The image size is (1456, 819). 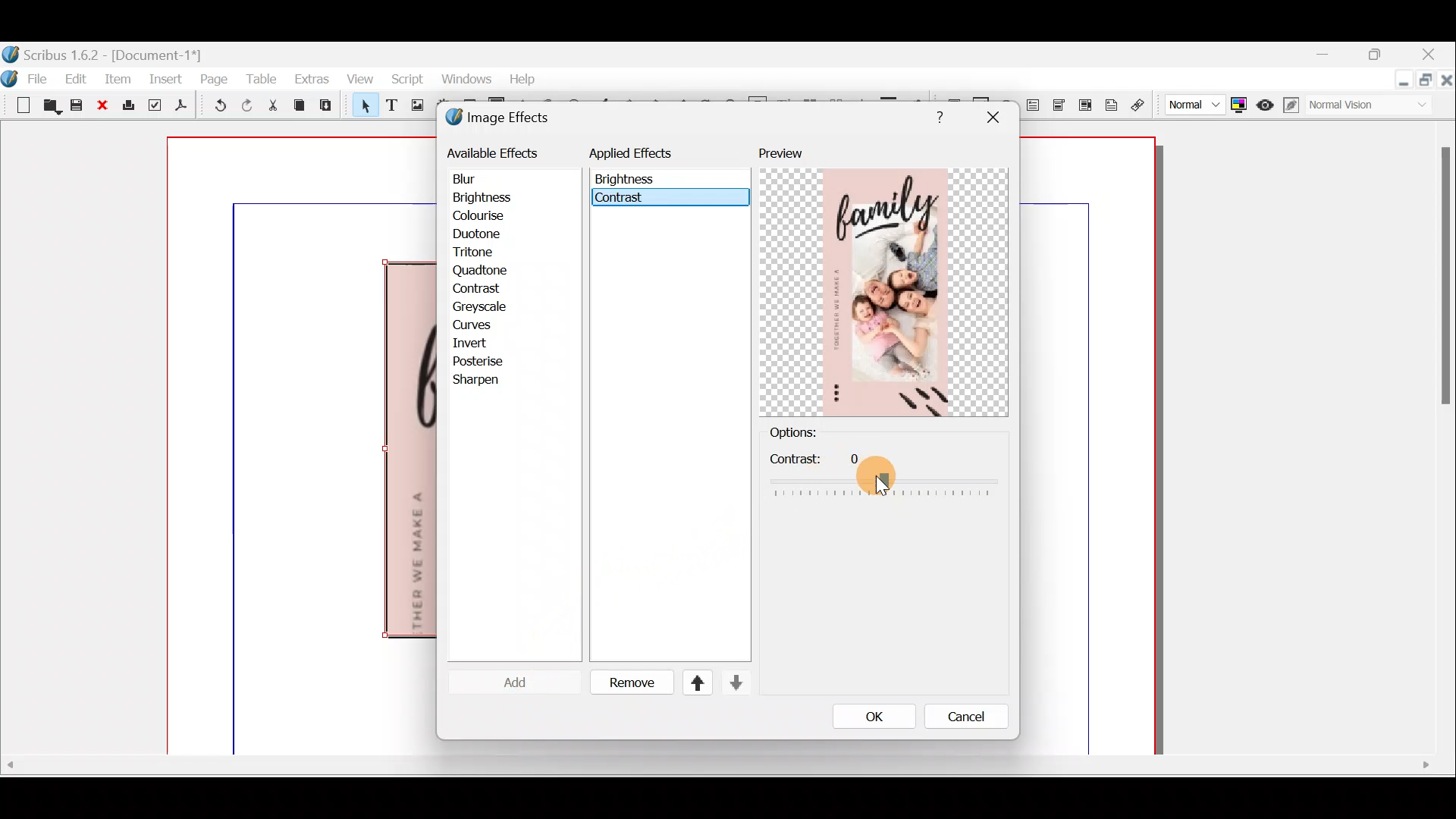 What do you see at coordinates (167, 78) in the screenshot?
I see `Insert` at bounding box center [167, 78].